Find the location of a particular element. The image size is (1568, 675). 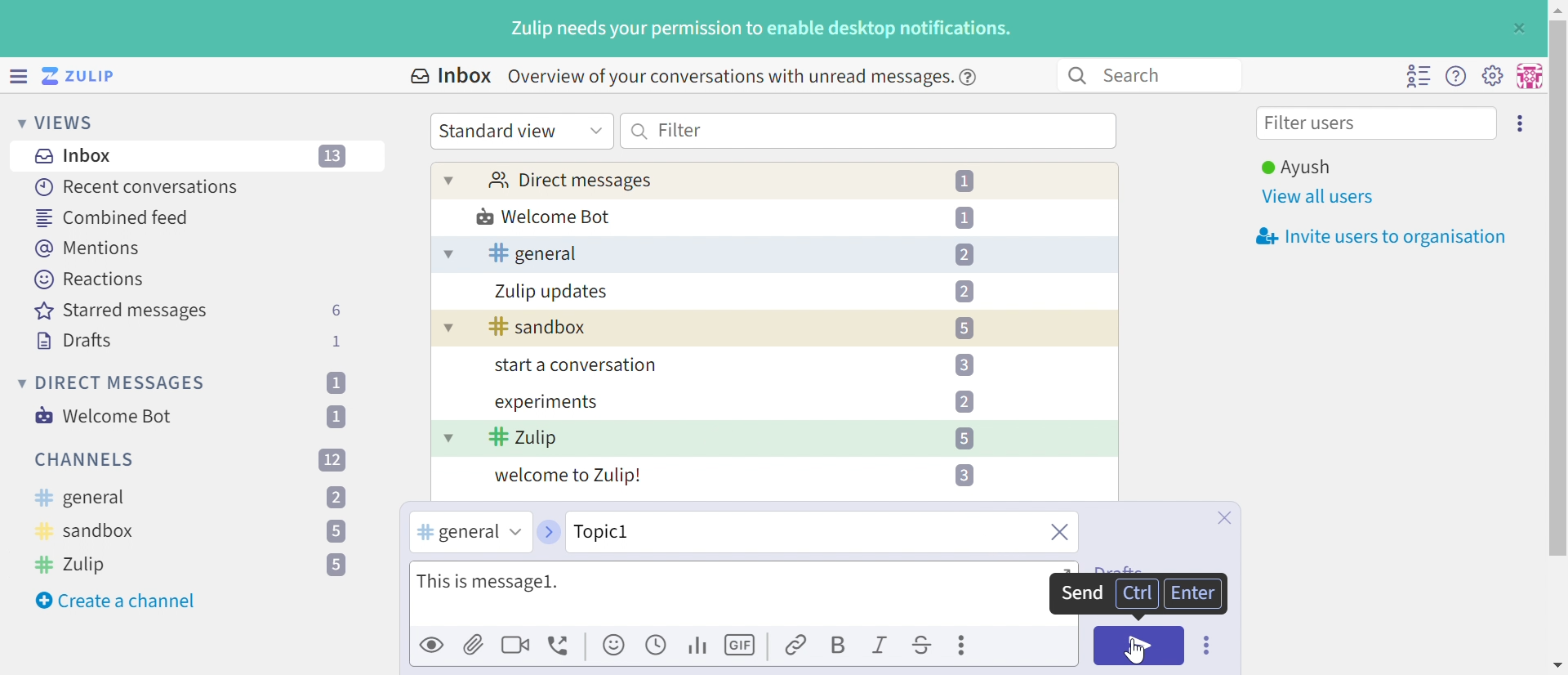

Configure topic notifications is located at coordinates (1004, 400).